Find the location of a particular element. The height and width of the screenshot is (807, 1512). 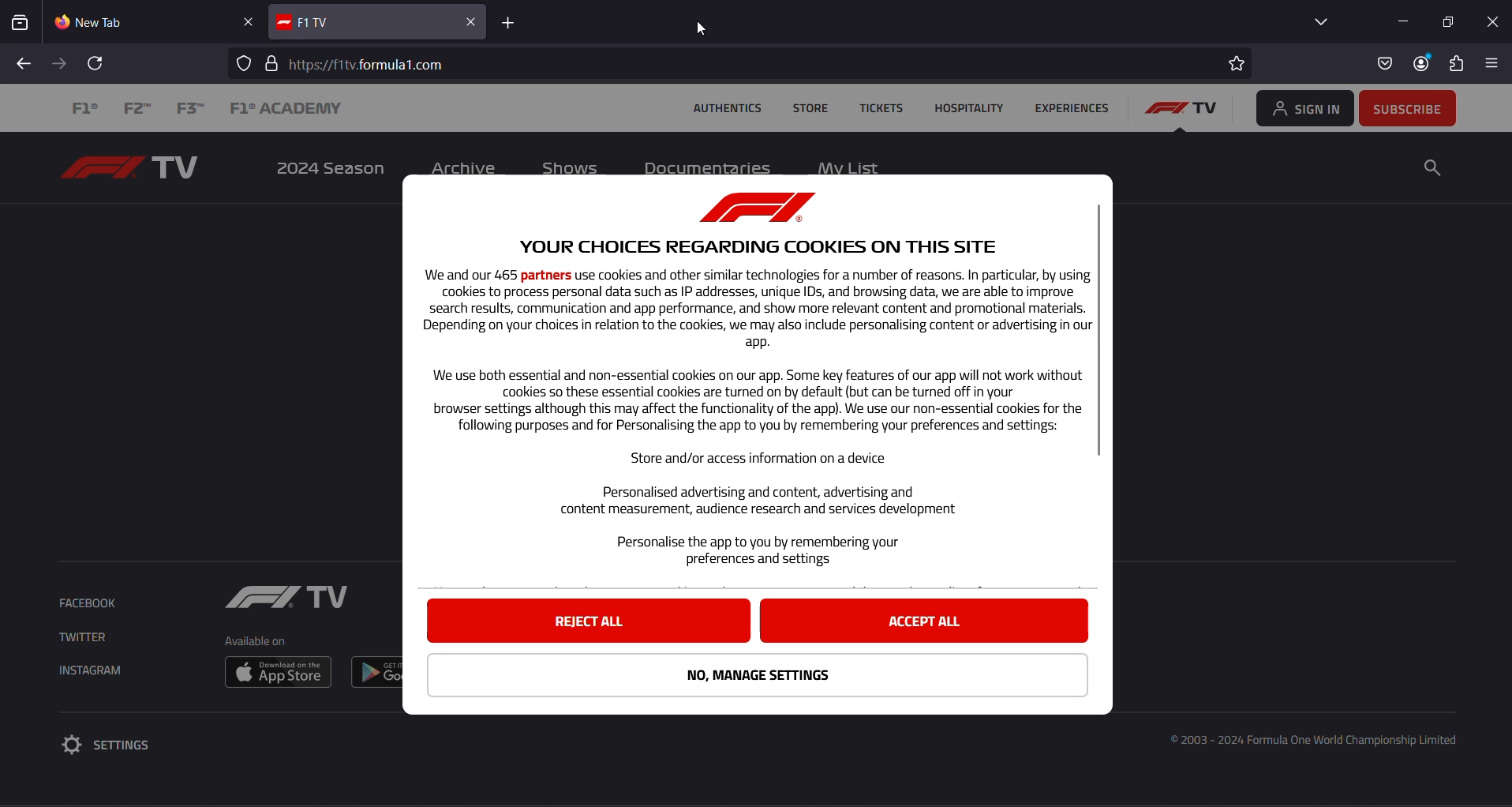

 is located at coordinates (4539, 963).